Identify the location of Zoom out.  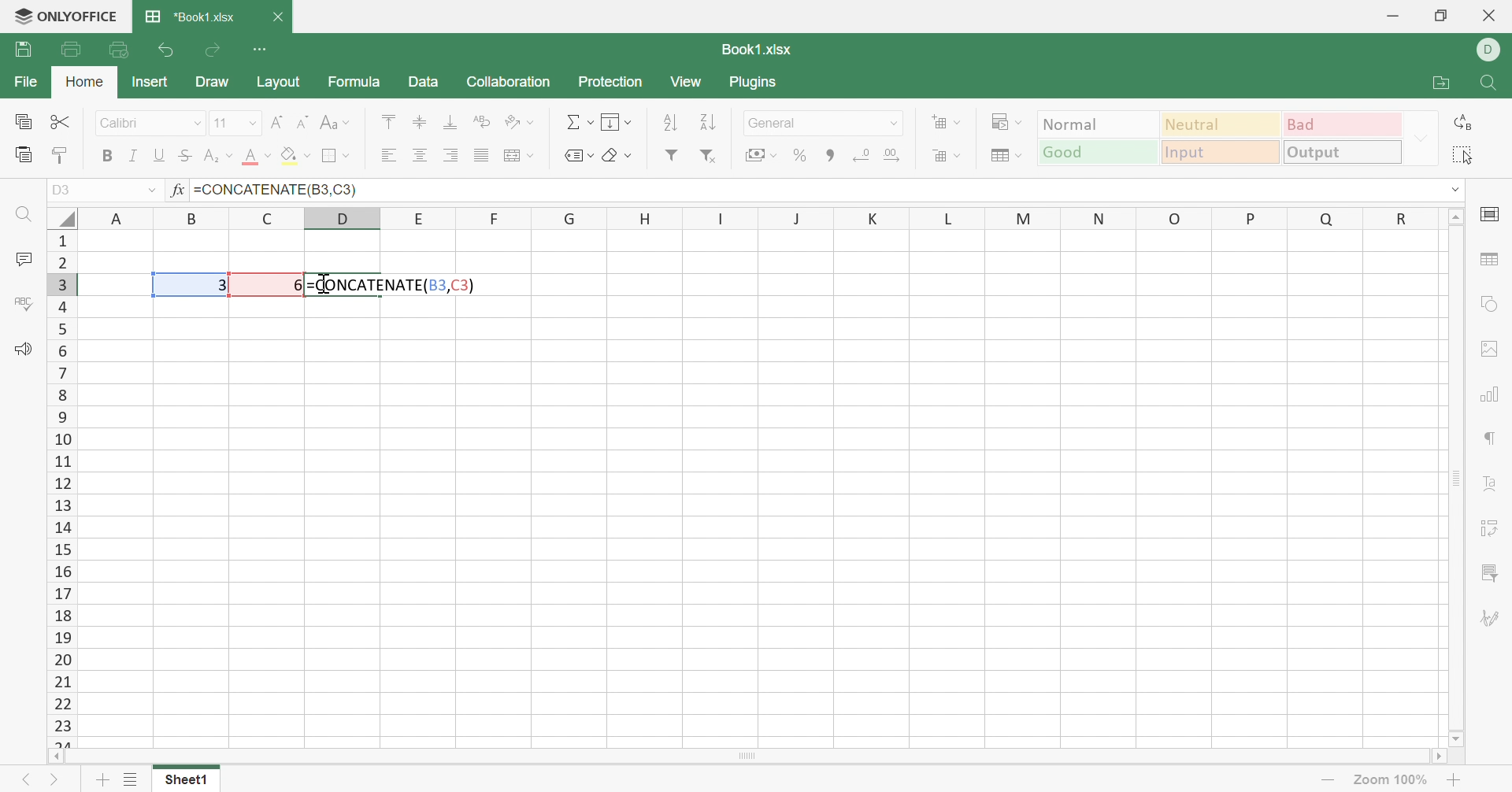
(1327, 781).